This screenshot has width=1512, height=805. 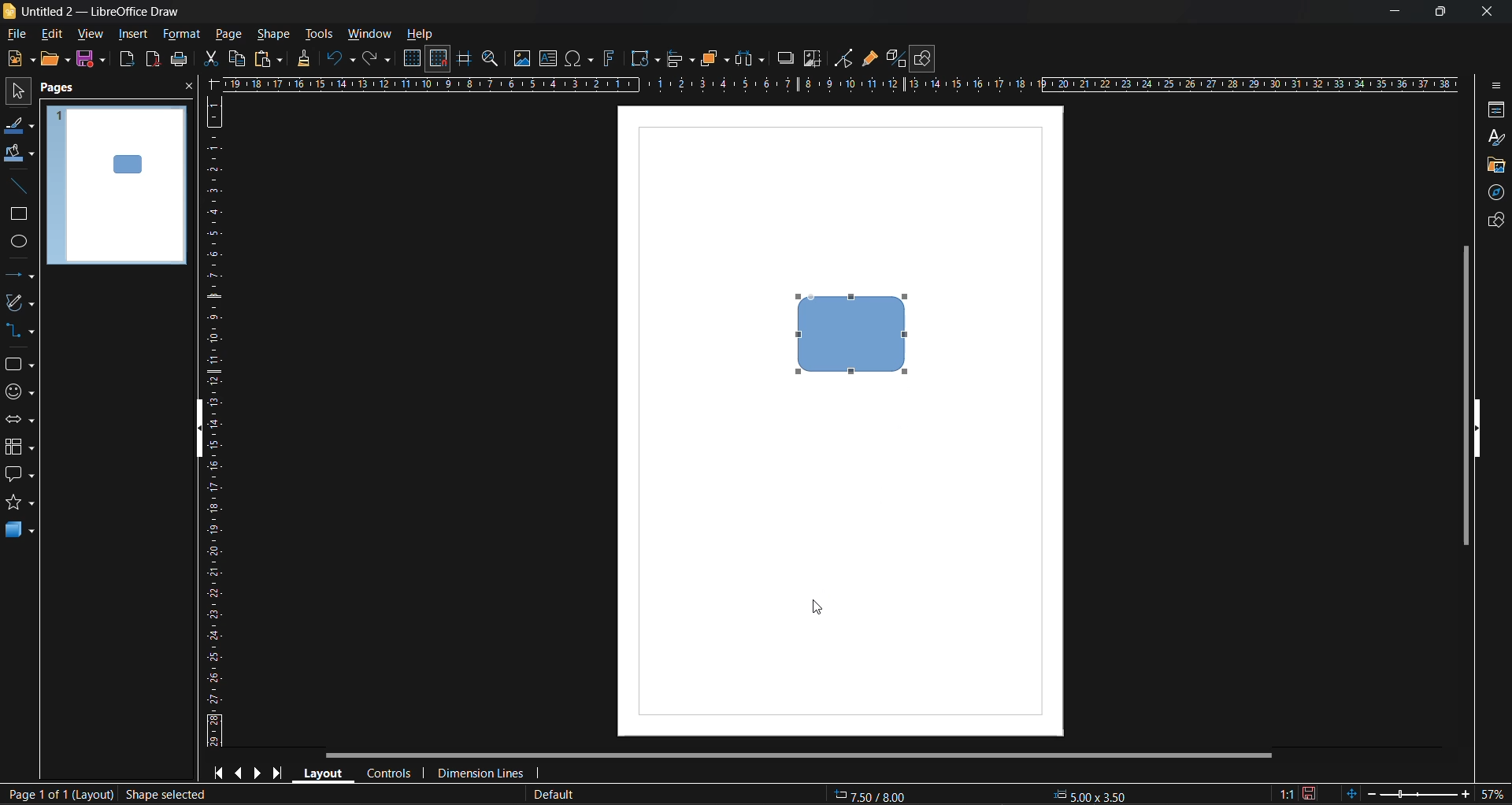 I want to click on crop image, so click(x=813, y=59).